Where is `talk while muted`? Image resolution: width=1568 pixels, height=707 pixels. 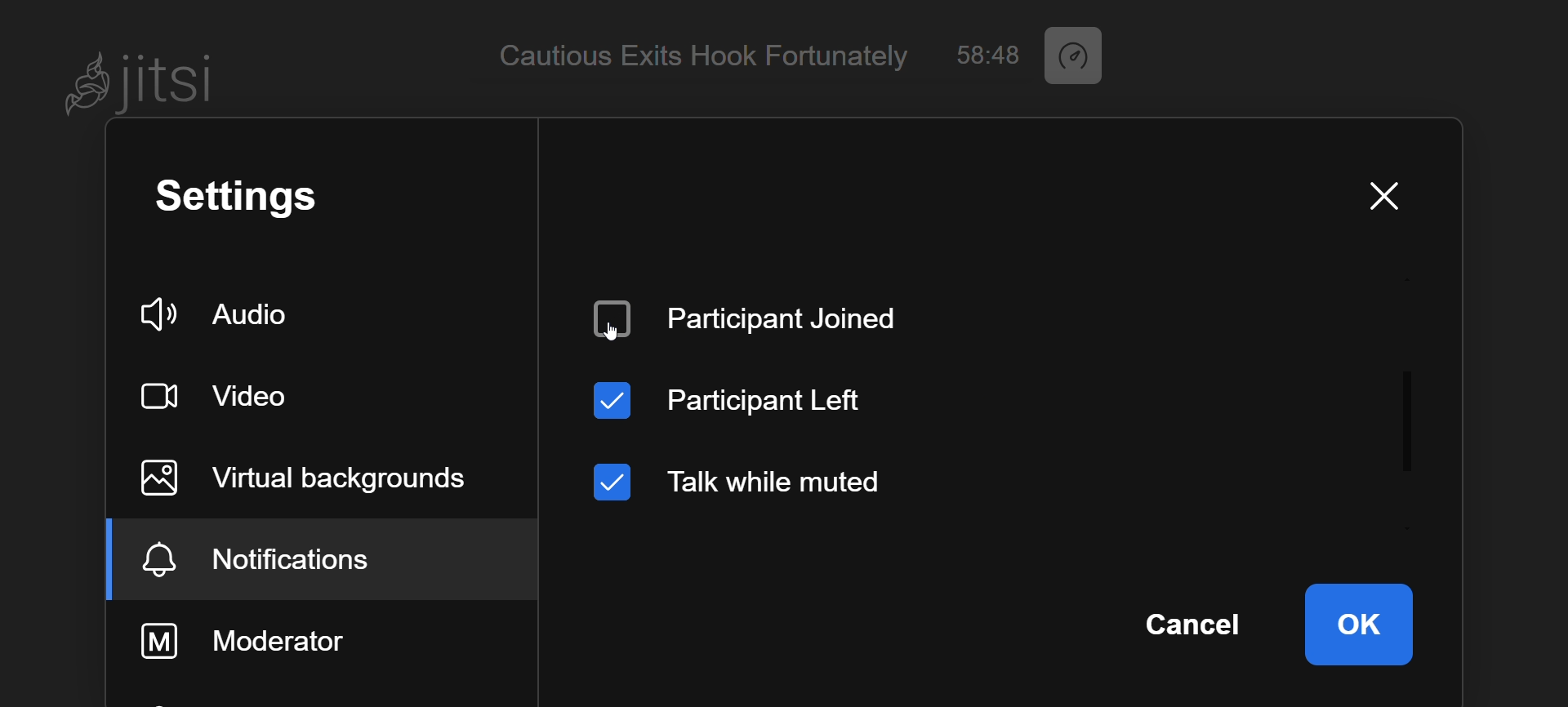 talk while muted is located at coordinates (760, 481).